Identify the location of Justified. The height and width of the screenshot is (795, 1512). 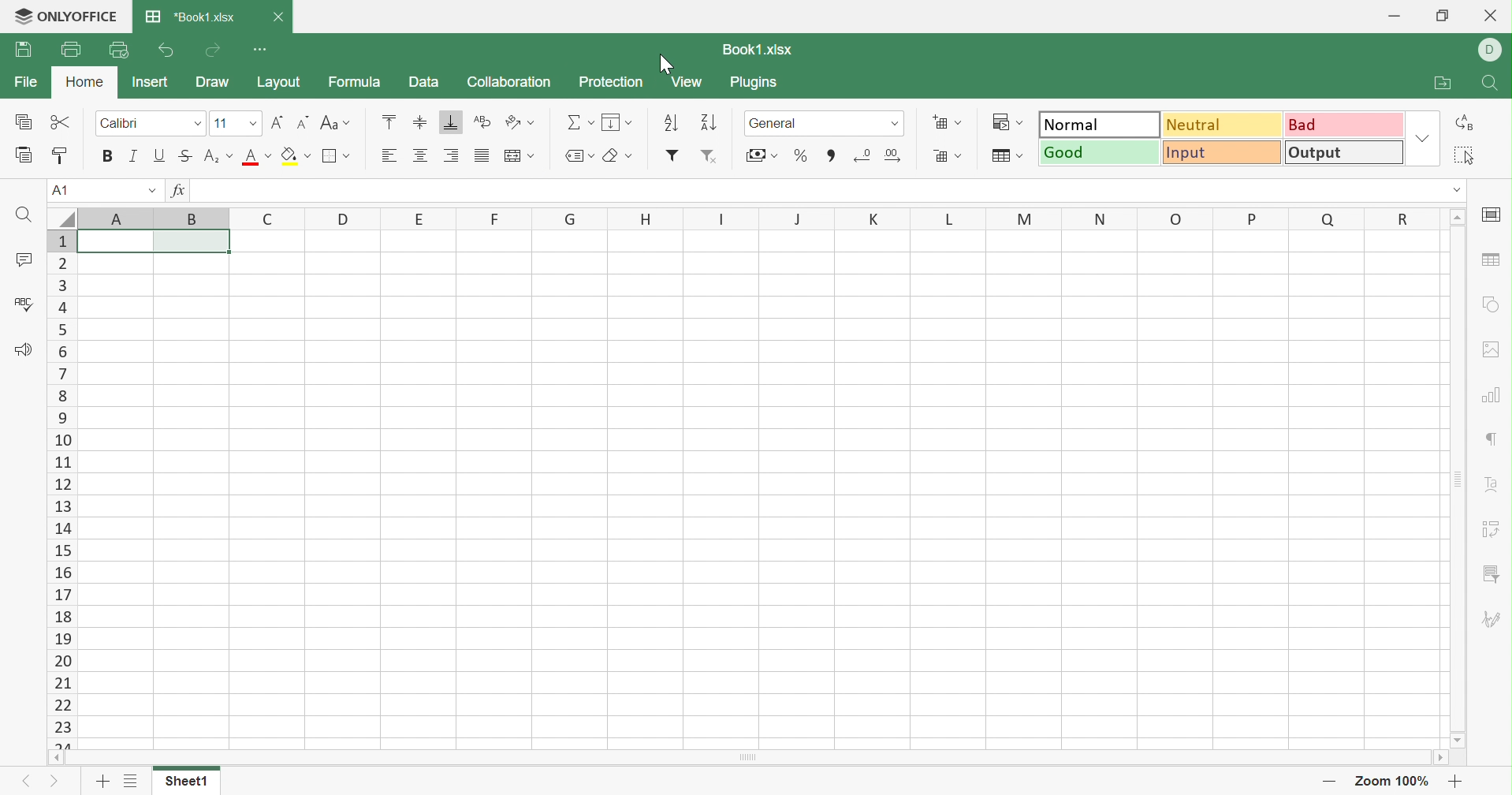
(483, 157).